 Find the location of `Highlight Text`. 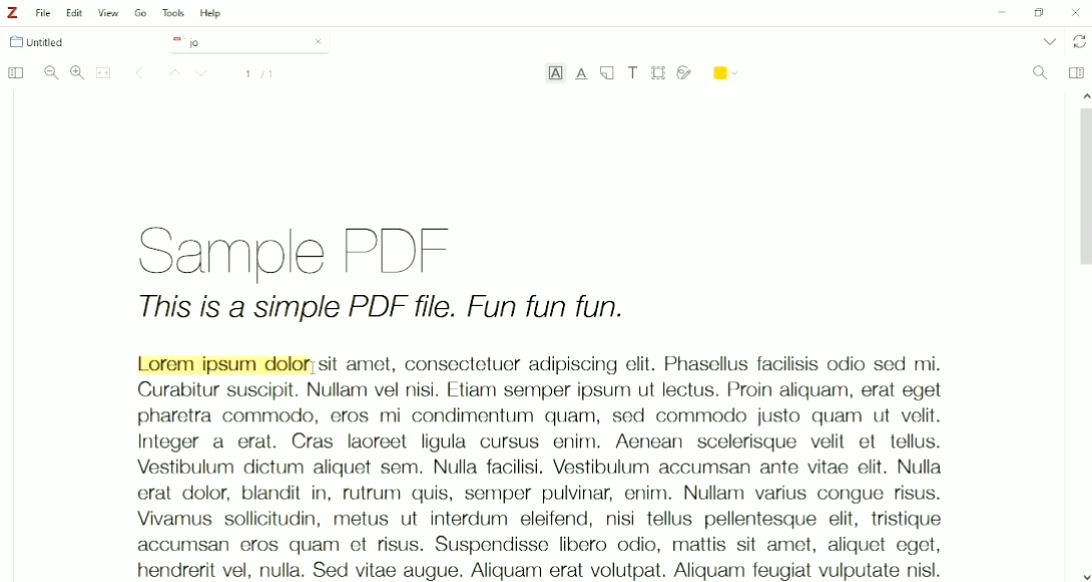

Highlight Text is located at coordinates (555, 75).